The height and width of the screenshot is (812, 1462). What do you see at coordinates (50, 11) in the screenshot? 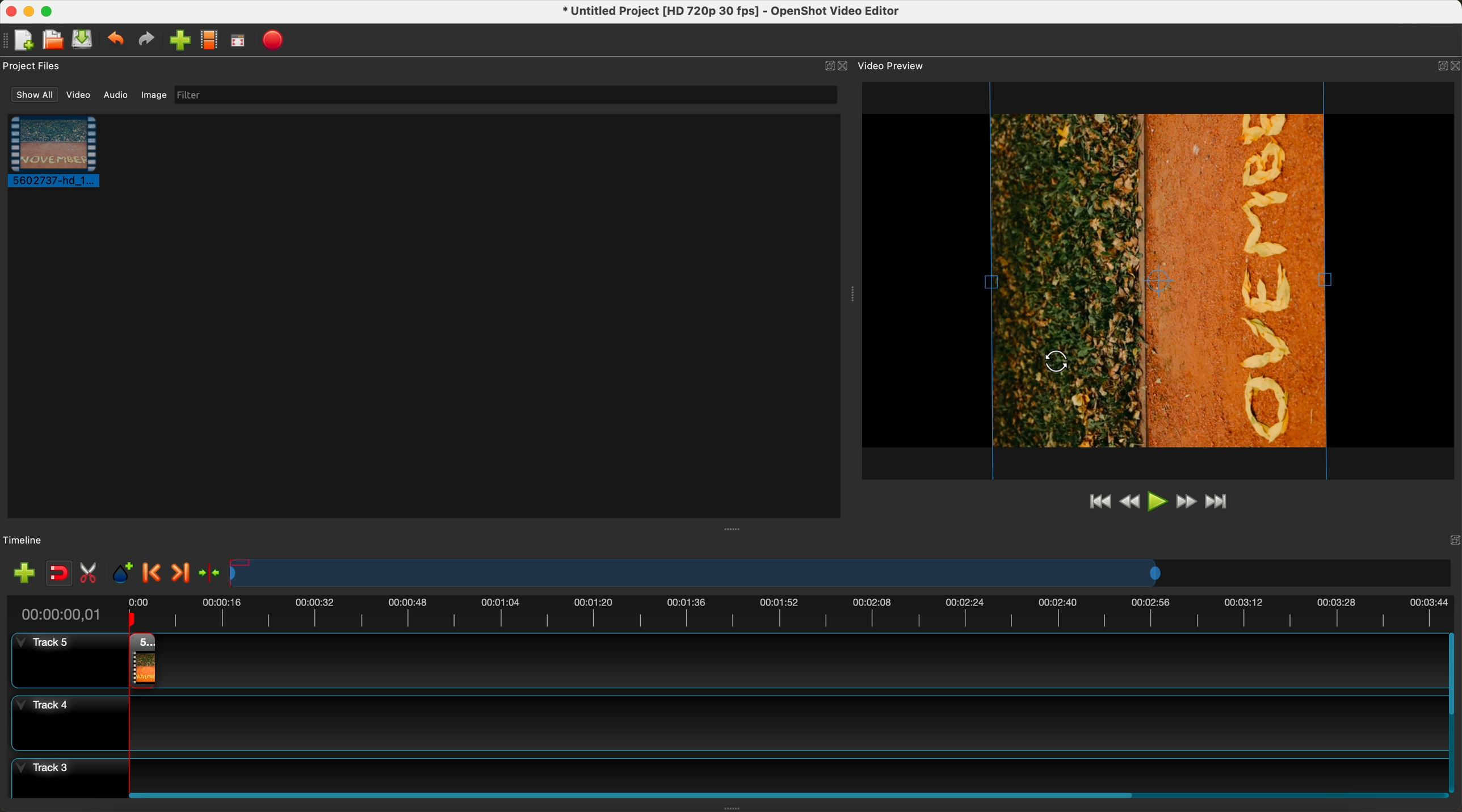
I see `maximize` at bounding box center [50, 11].